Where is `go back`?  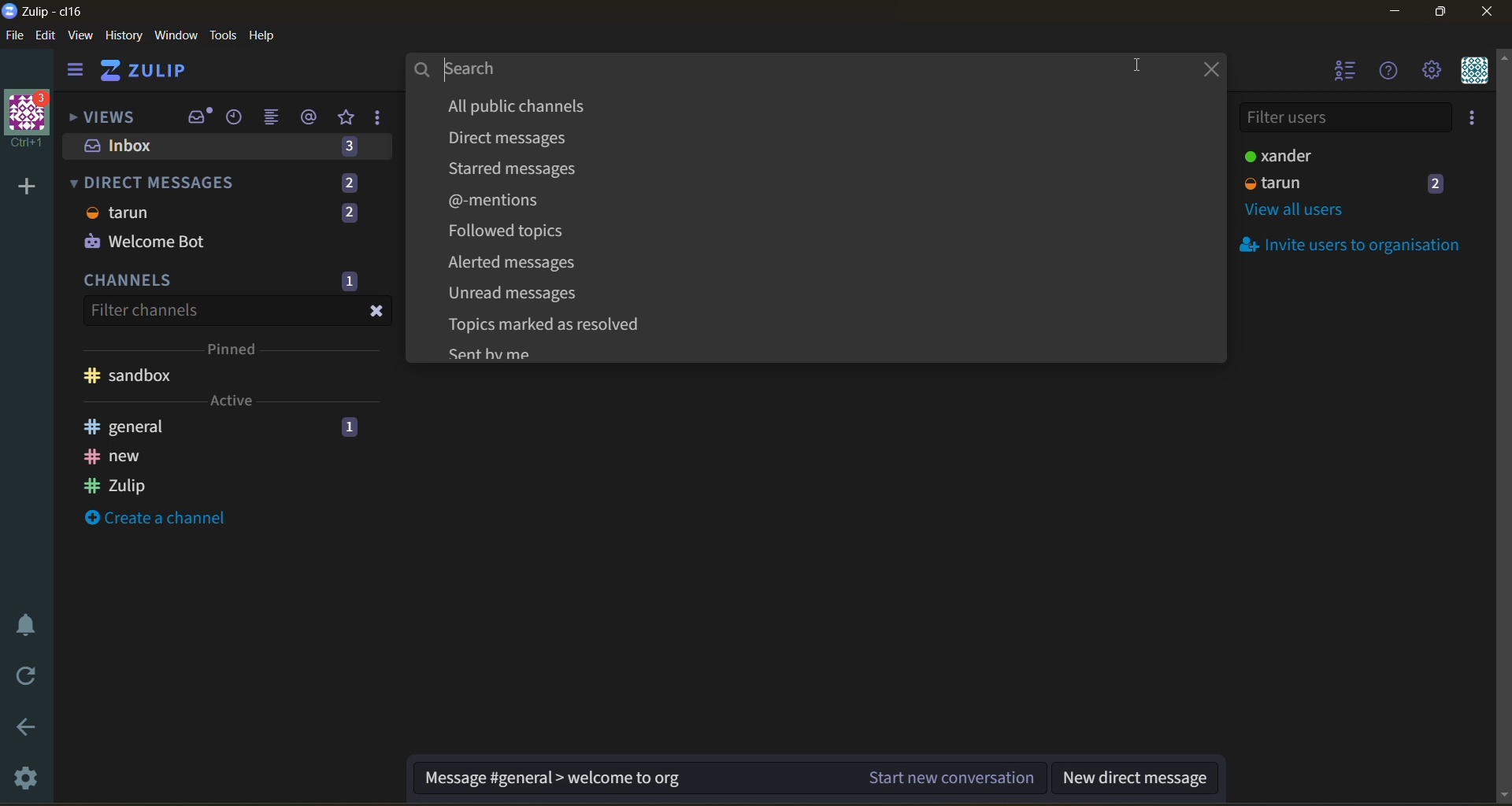 go back is located at coordinates (31, 730).